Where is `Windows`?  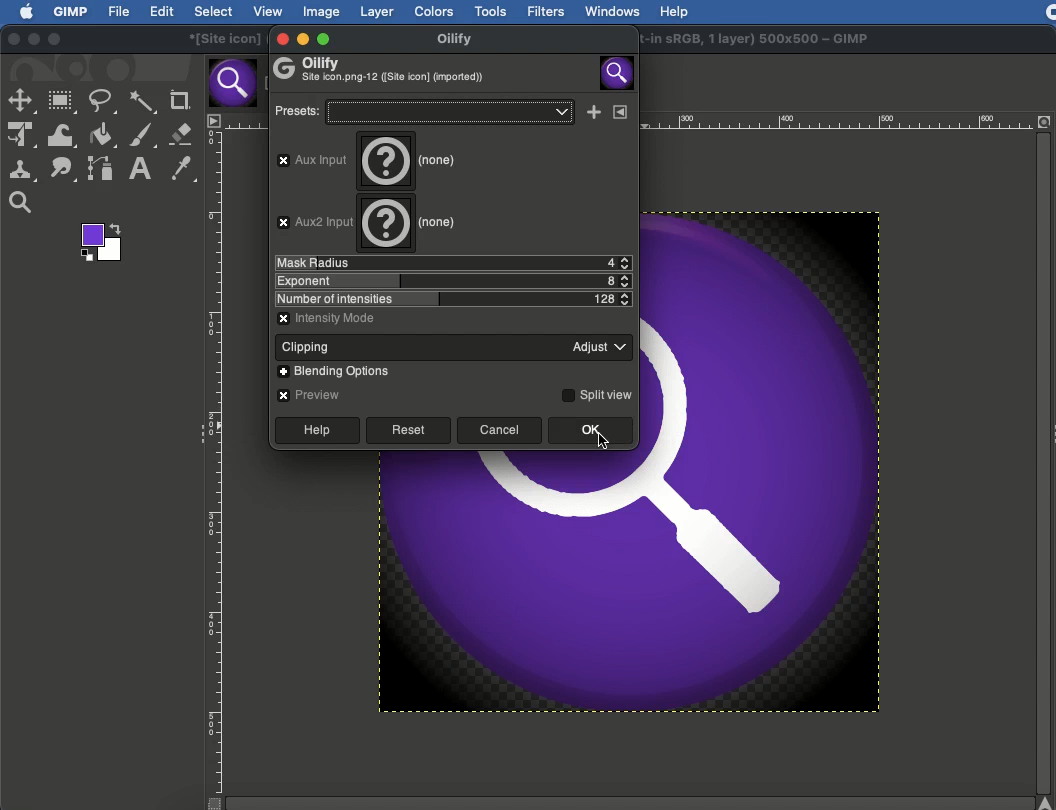
Windows is located at coordinates (612, 10).